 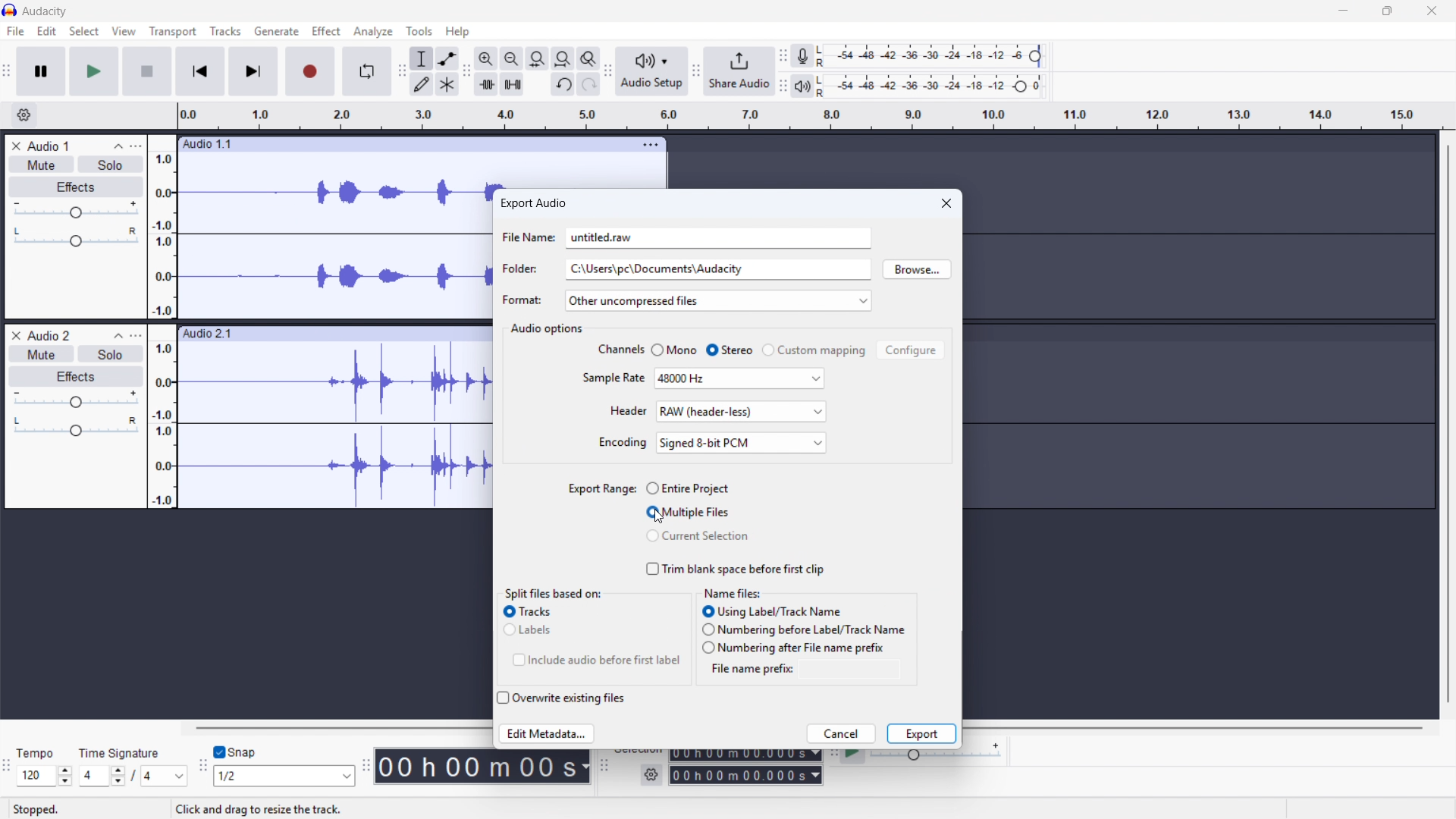 What do you see at coordinates (717, 300) in the screenshot?
I see `Save format ` at bounding box center [717, 300].